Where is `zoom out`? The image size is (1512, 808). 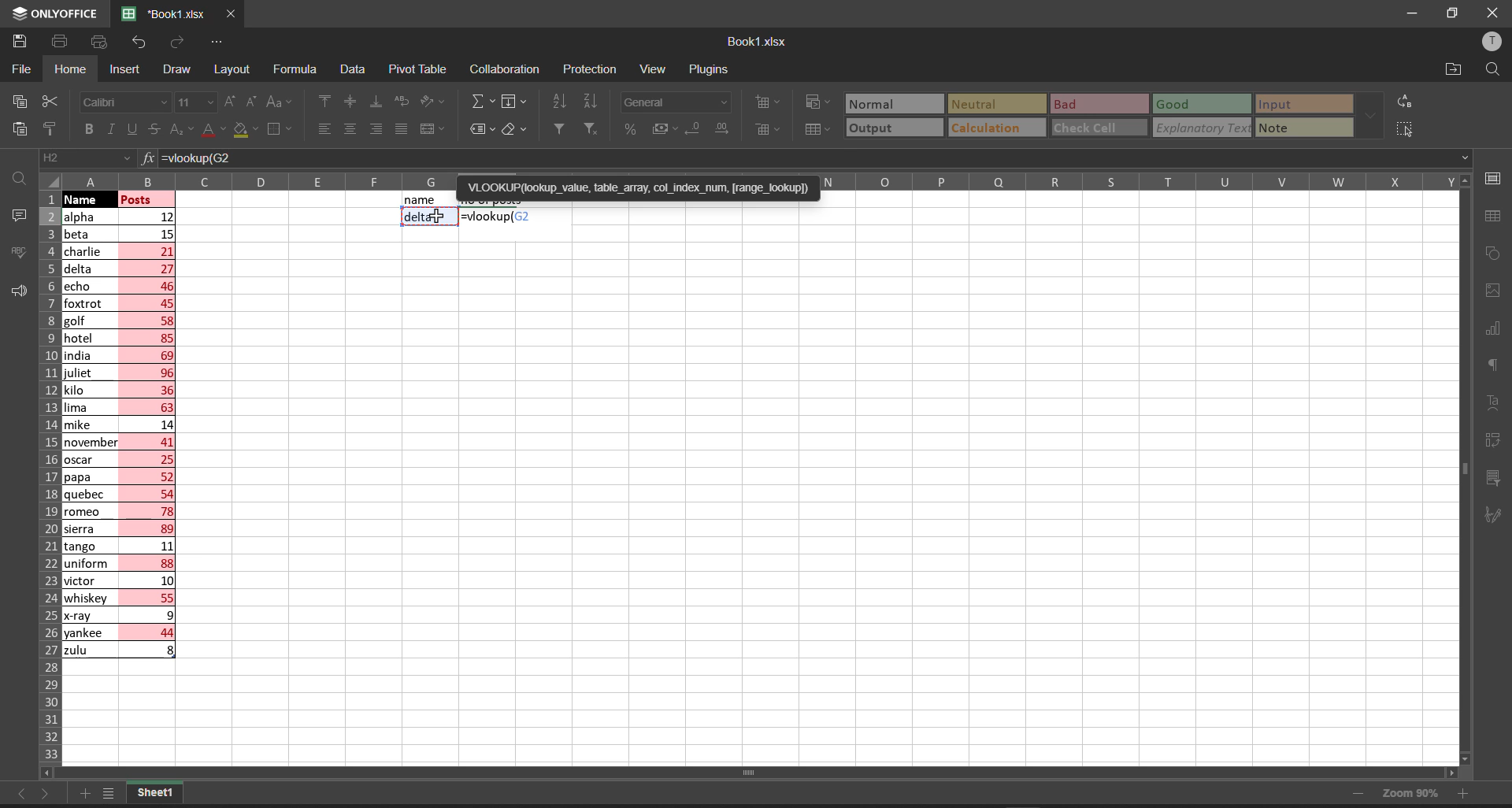
zoom out is located at coordinates (1356, 796).